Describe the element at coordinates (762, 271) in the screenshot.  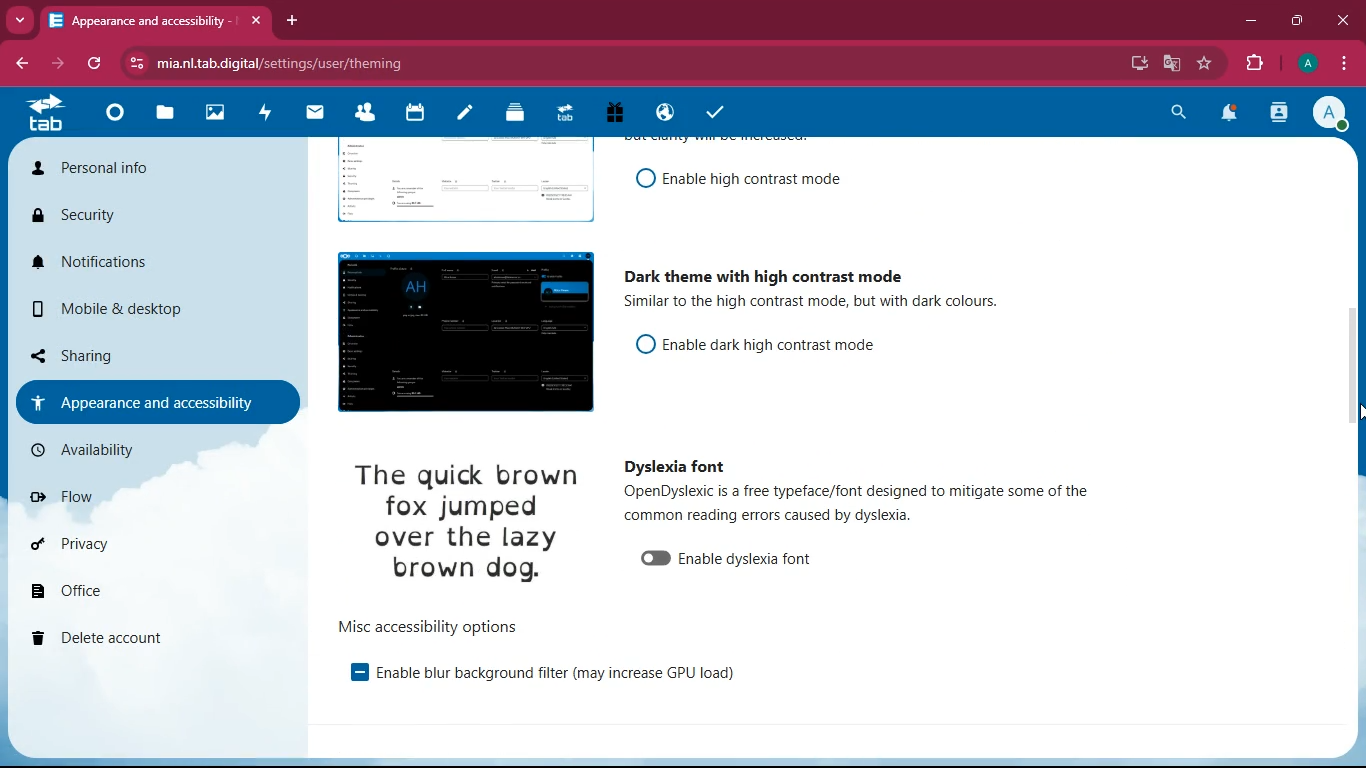
I see `dark theme` at that location.